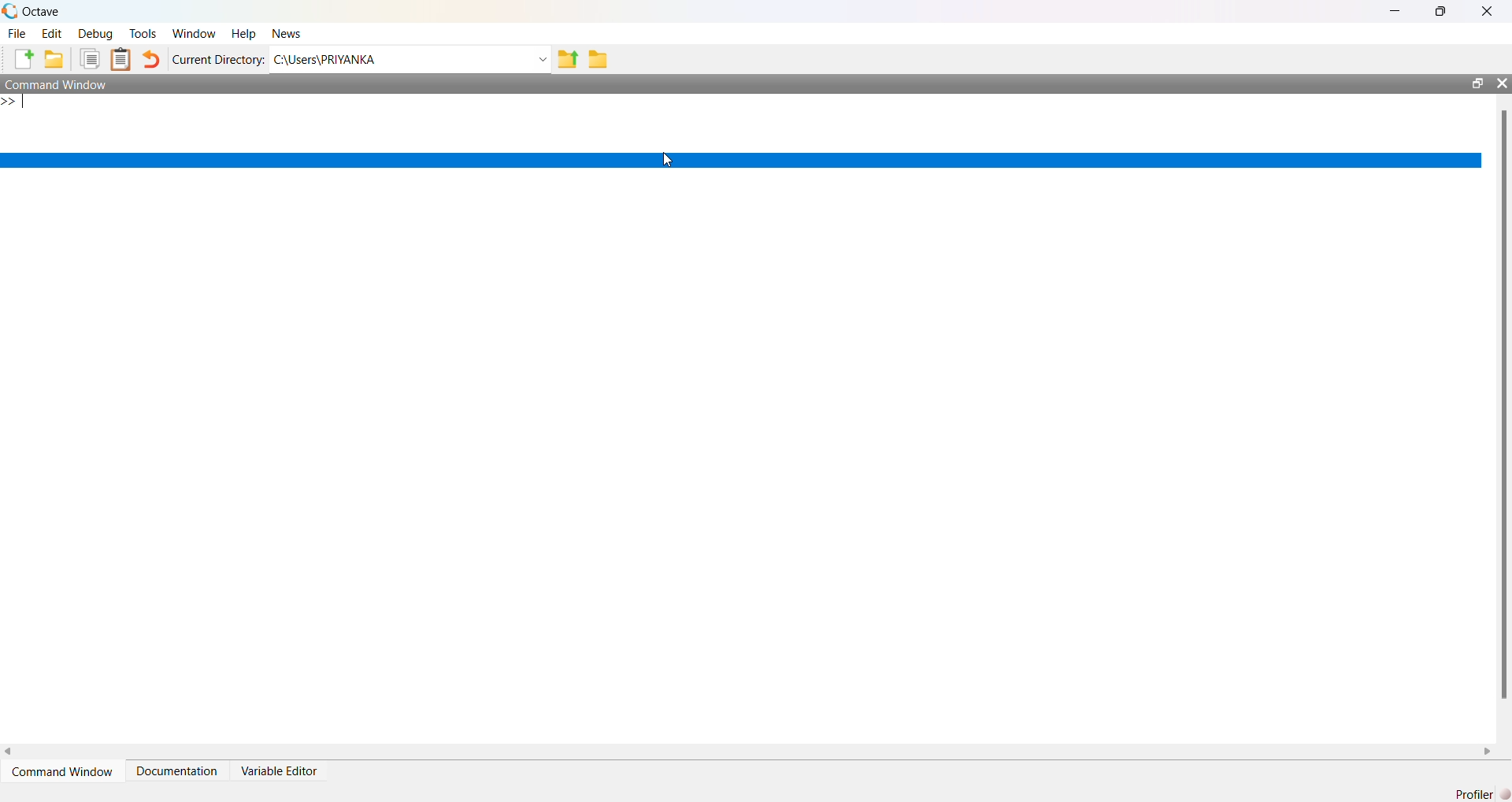 This screenshot has height=802, width=1512. Describe the element at coordinates (1488, 12) in the screenshot. I see `close` at that location.